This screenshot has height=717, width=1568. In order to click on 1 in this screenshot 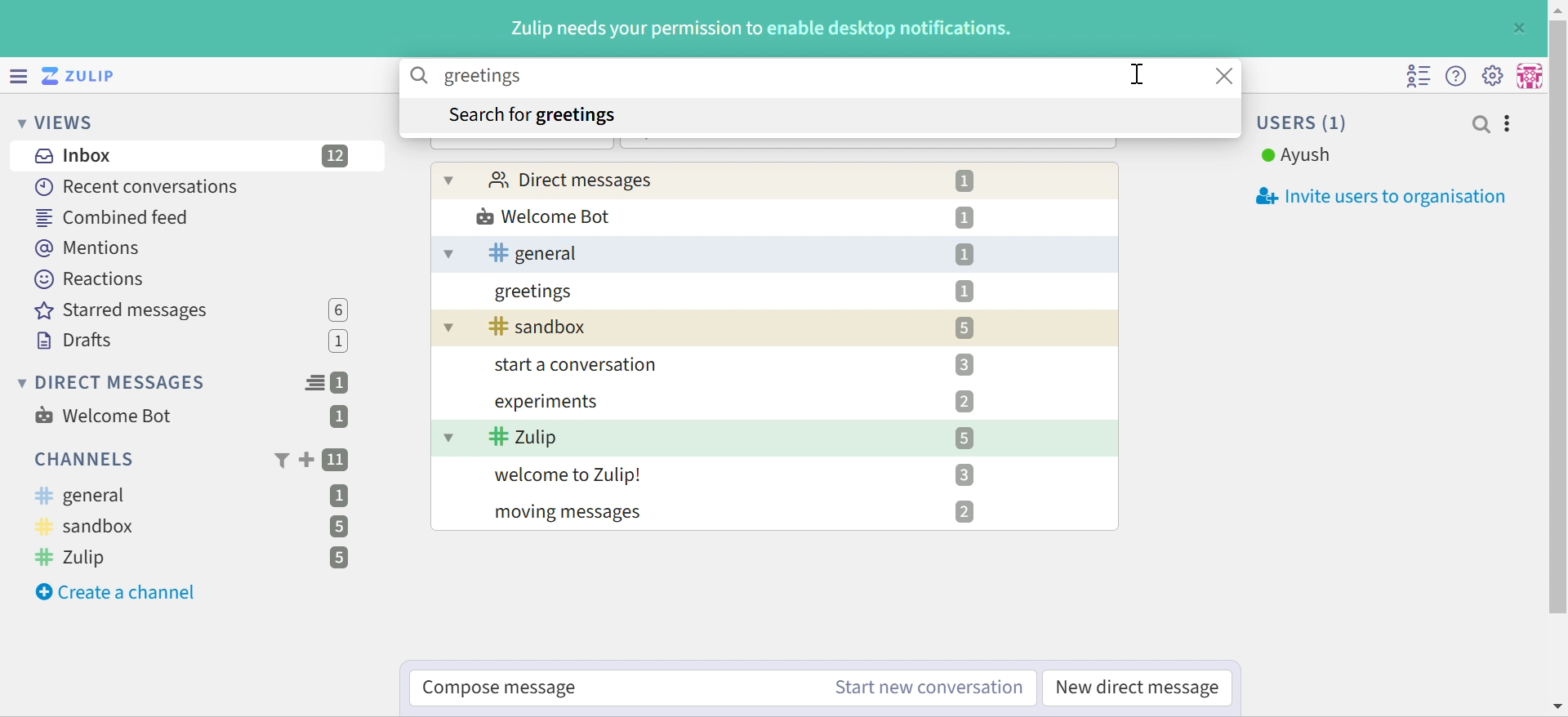, I will do `click(964, 292)`.